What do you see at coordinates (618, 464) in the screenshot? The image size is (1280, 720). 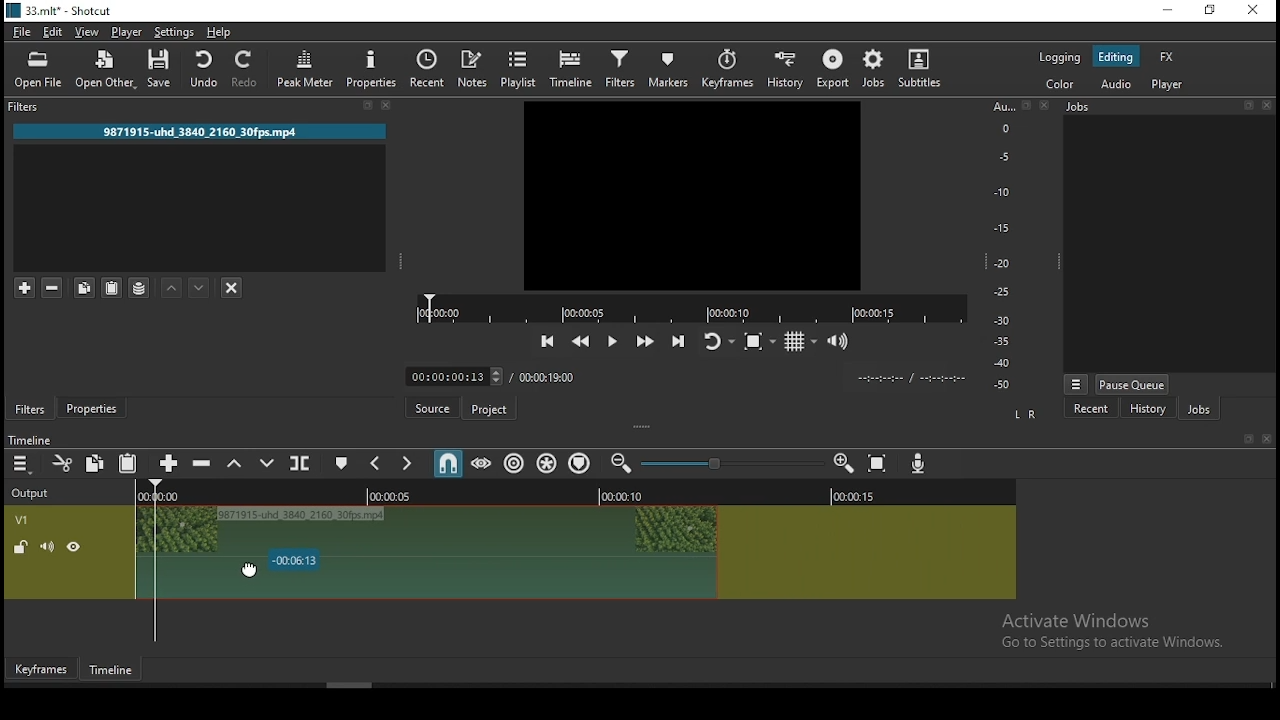 I see `zoom timeline out` at bounding box center [618, 464].